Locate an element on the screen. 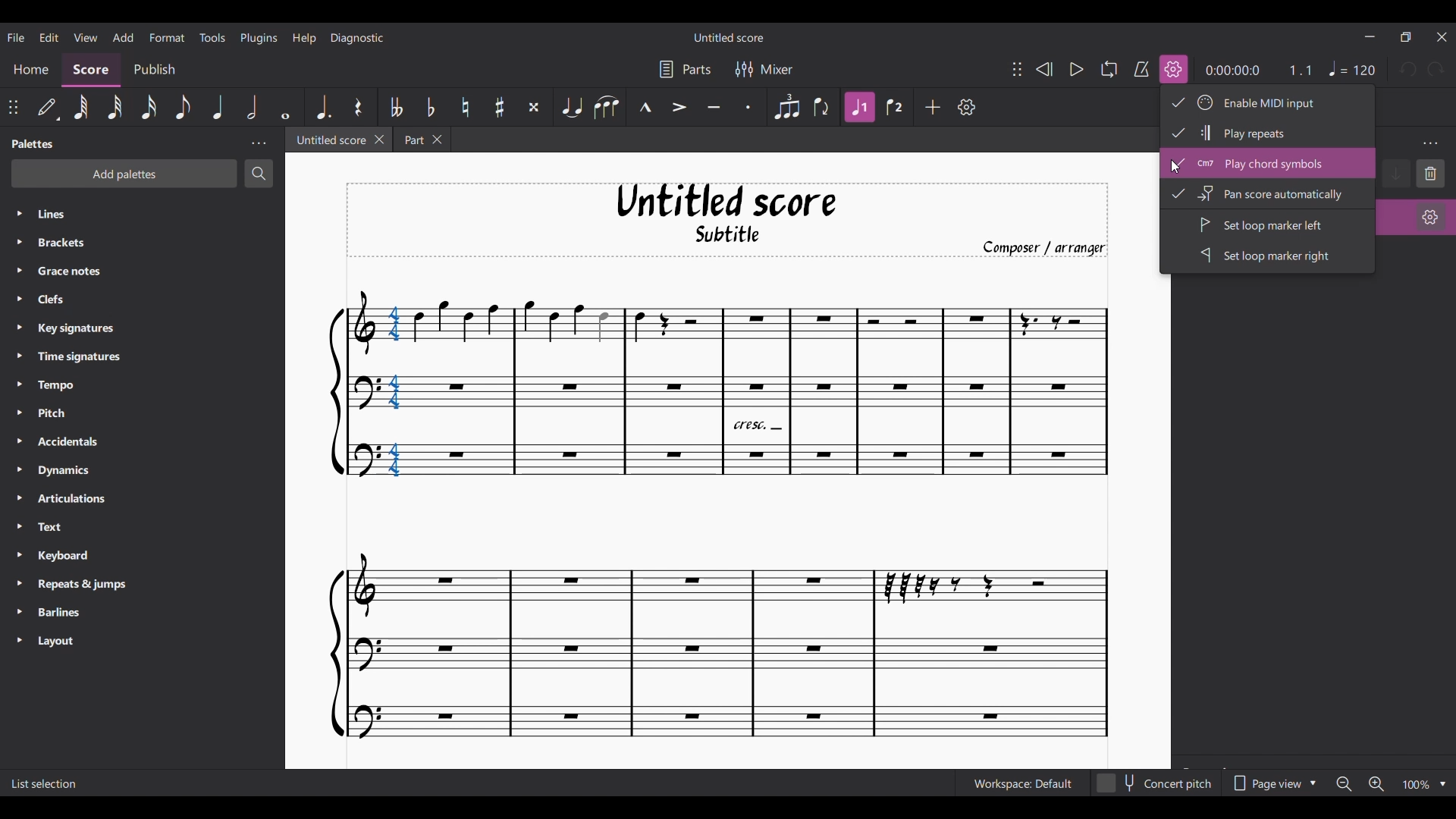  Zoom out is located at coordinates (1345, 784).